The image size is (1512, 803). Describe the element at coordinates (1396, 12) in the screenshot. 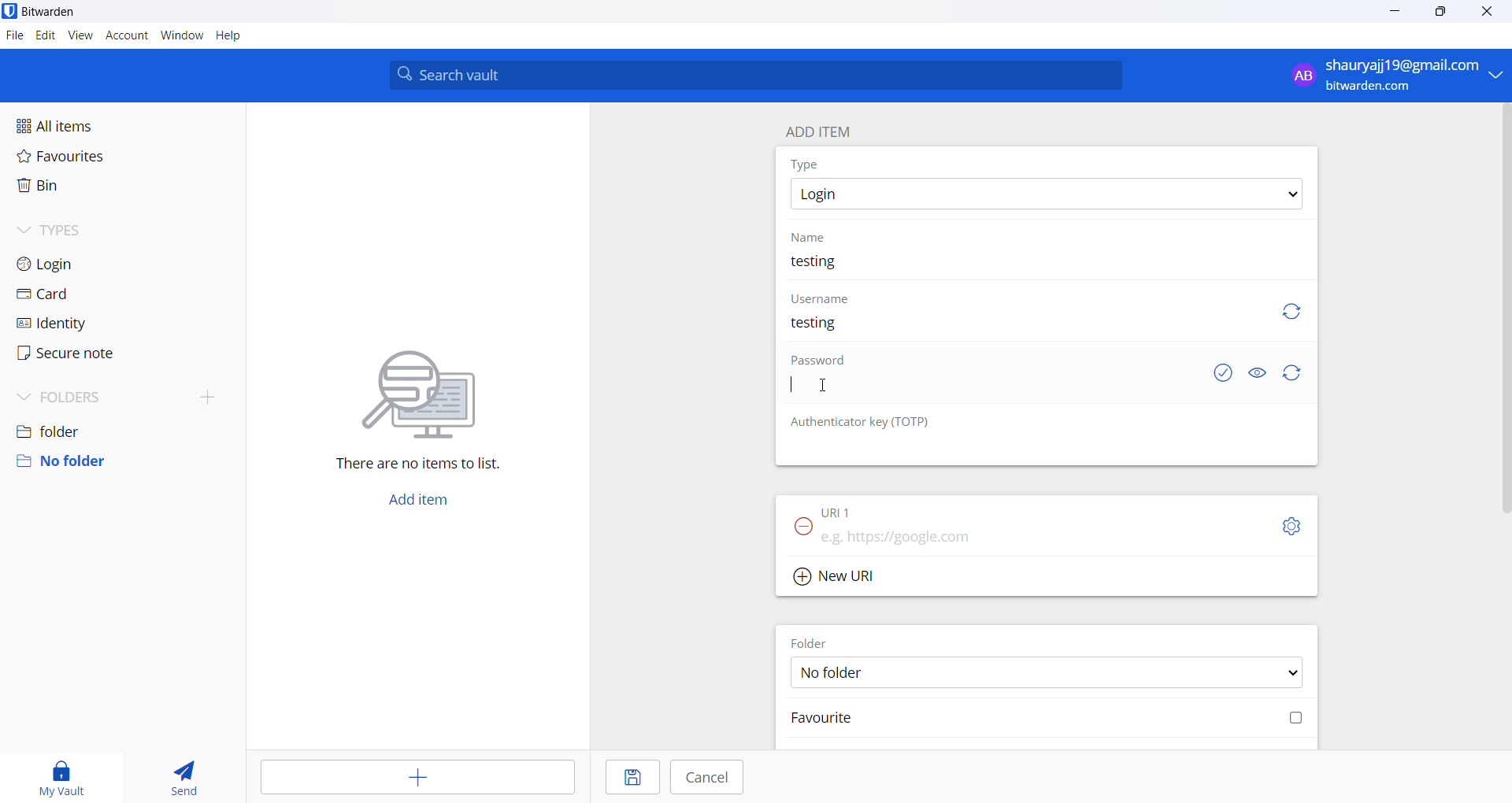

I see `minimize` at that location.